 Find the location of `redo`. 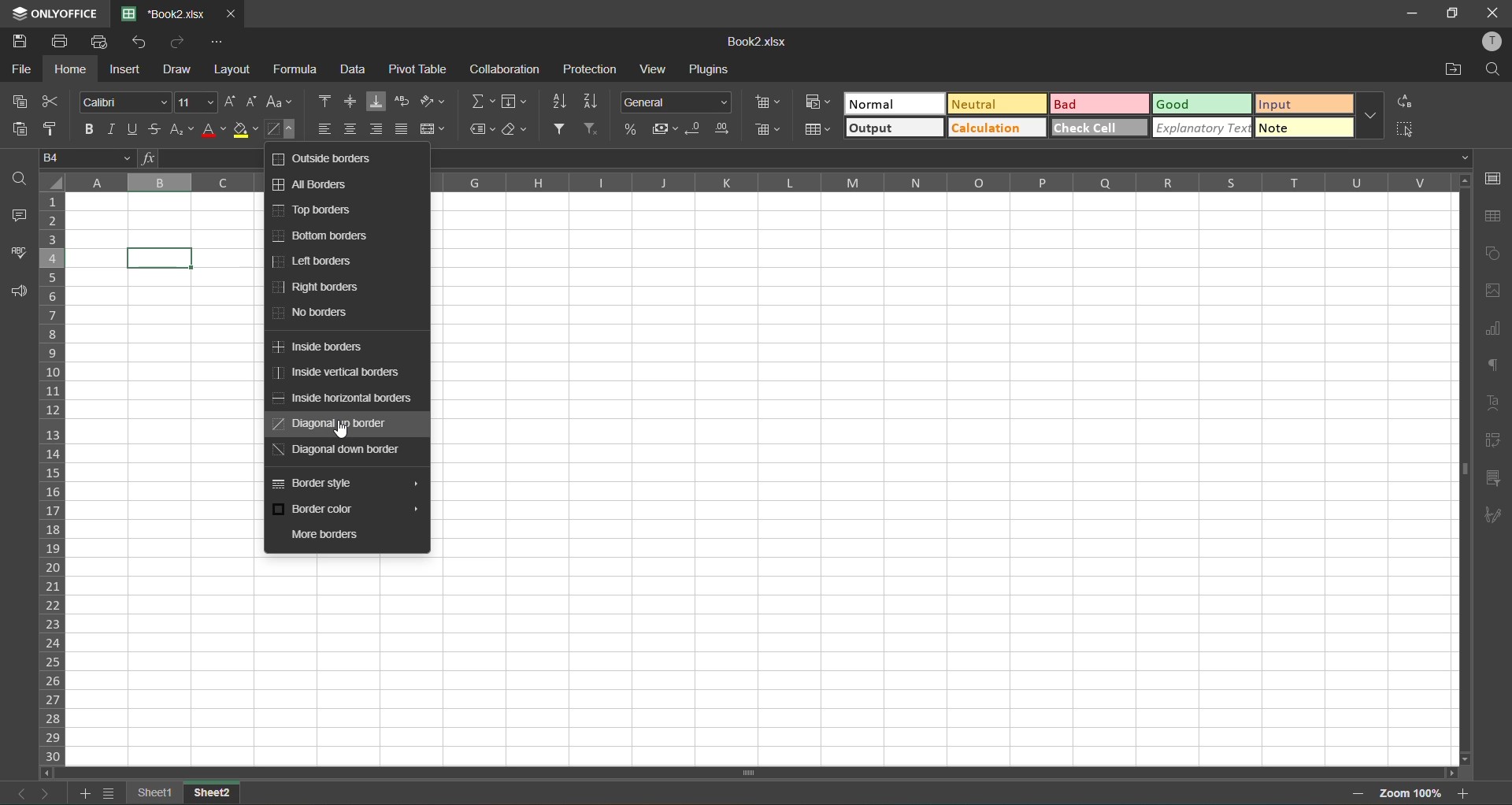

redo is located at coordinates (179, 43).